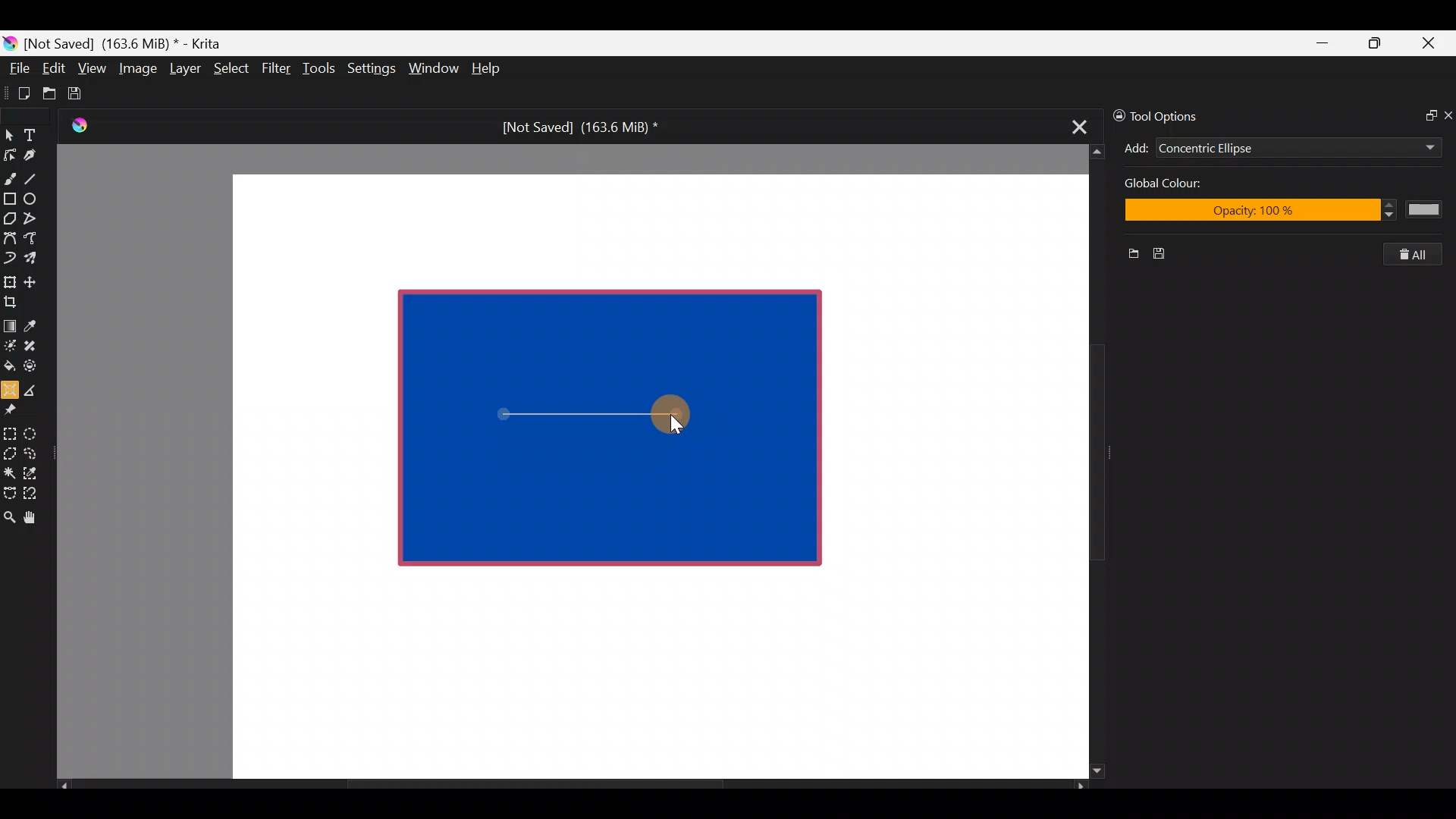 The height and width of the screenshot is (819, 1456). Describe the element at coordinates (9, 385) in the screenshot. I see `Assistant tool` at that location.